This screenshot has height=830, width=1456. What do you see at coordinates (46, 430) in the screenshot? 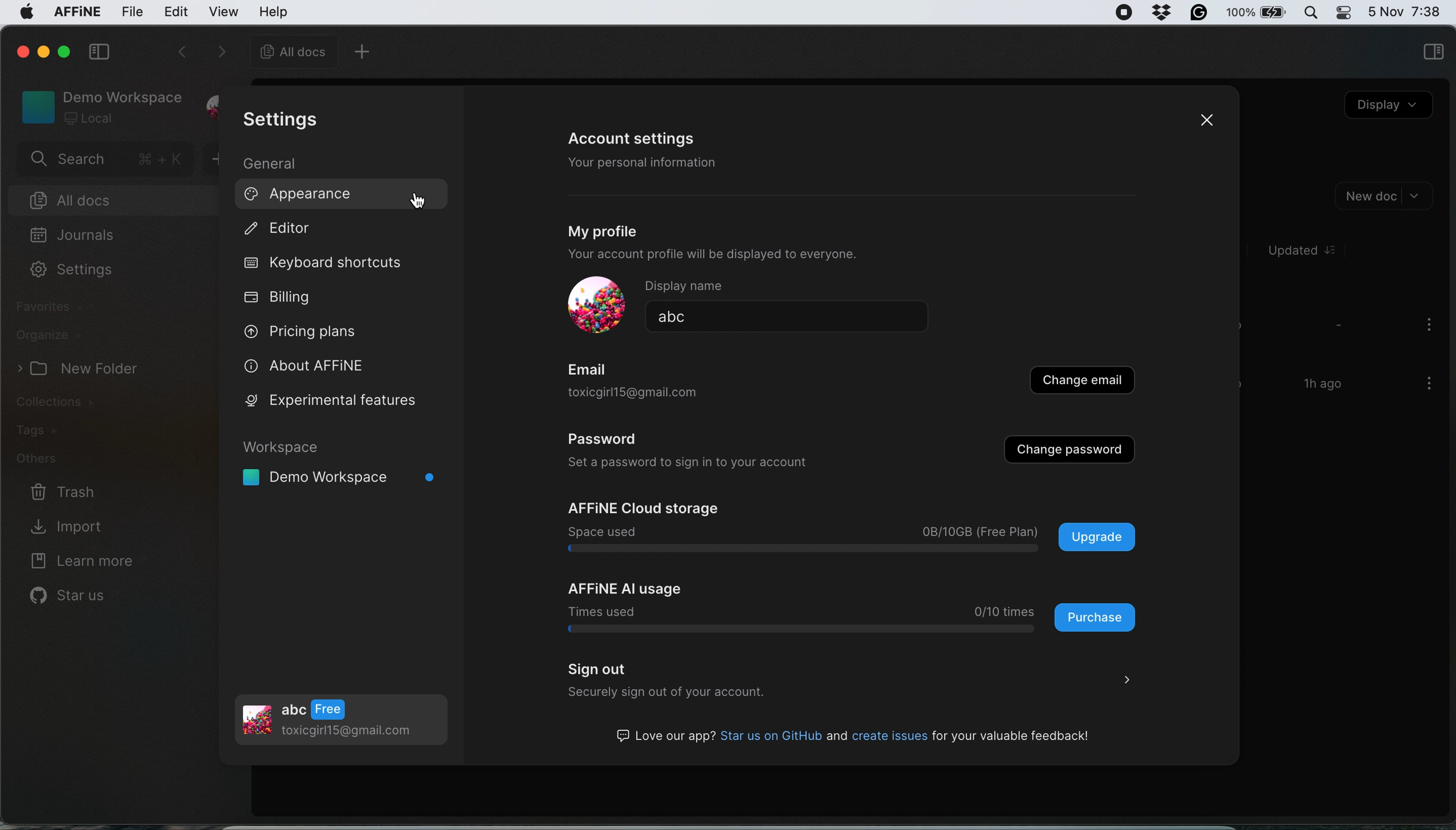
I see `tags` at bounding box center [46, 430].